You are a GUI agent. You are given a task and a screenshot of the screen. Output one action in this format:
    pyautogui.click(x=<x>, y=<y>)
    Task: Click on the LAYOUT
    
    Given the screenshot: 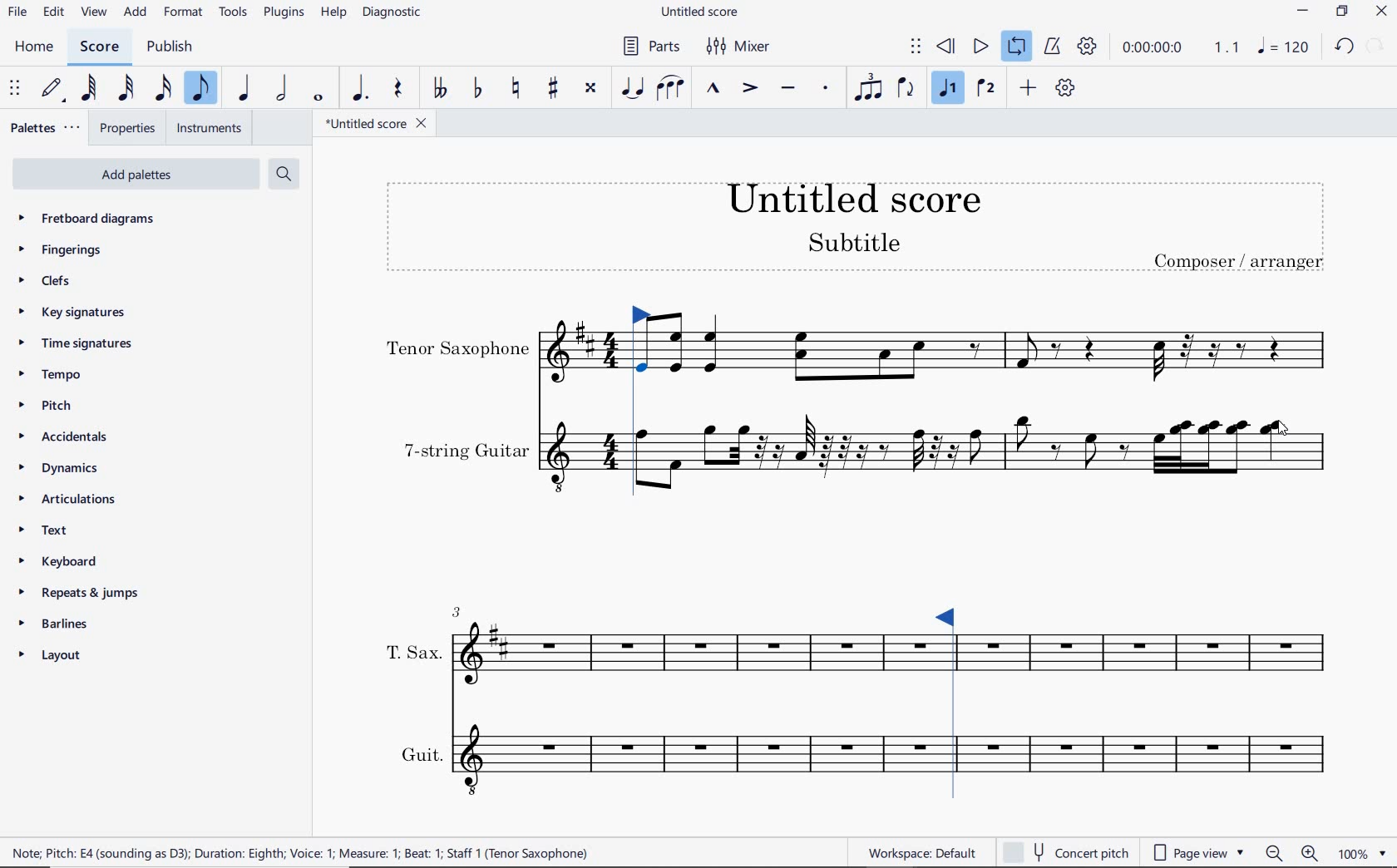 What is the action you would take?
    pyautogui.click(x=49, y=657)
    